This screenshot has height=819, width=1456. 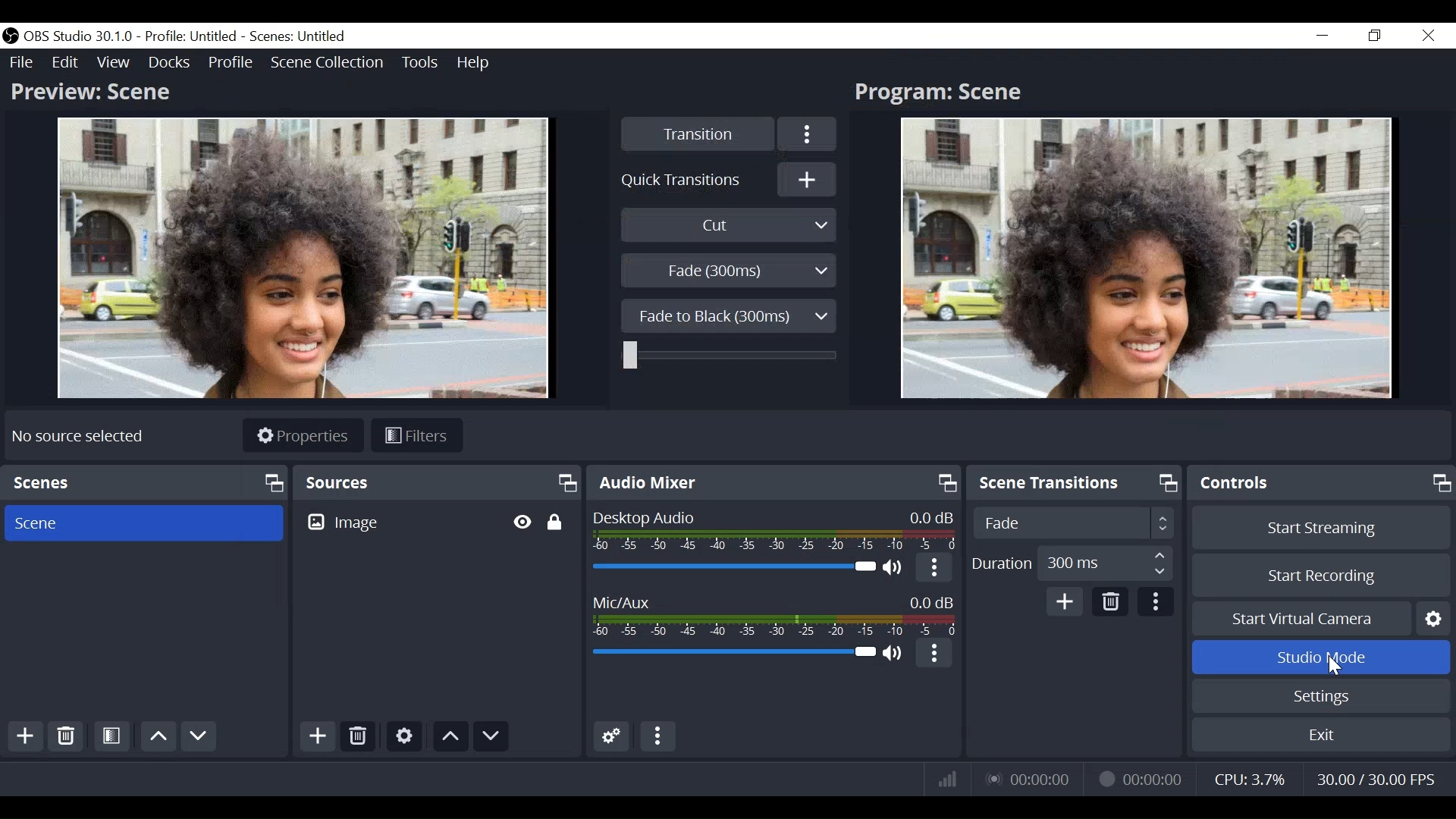 What do you see at coordinates (733, 651) in the screenshot?
I see `Mic/Aux` at bounding box center [733, 651].